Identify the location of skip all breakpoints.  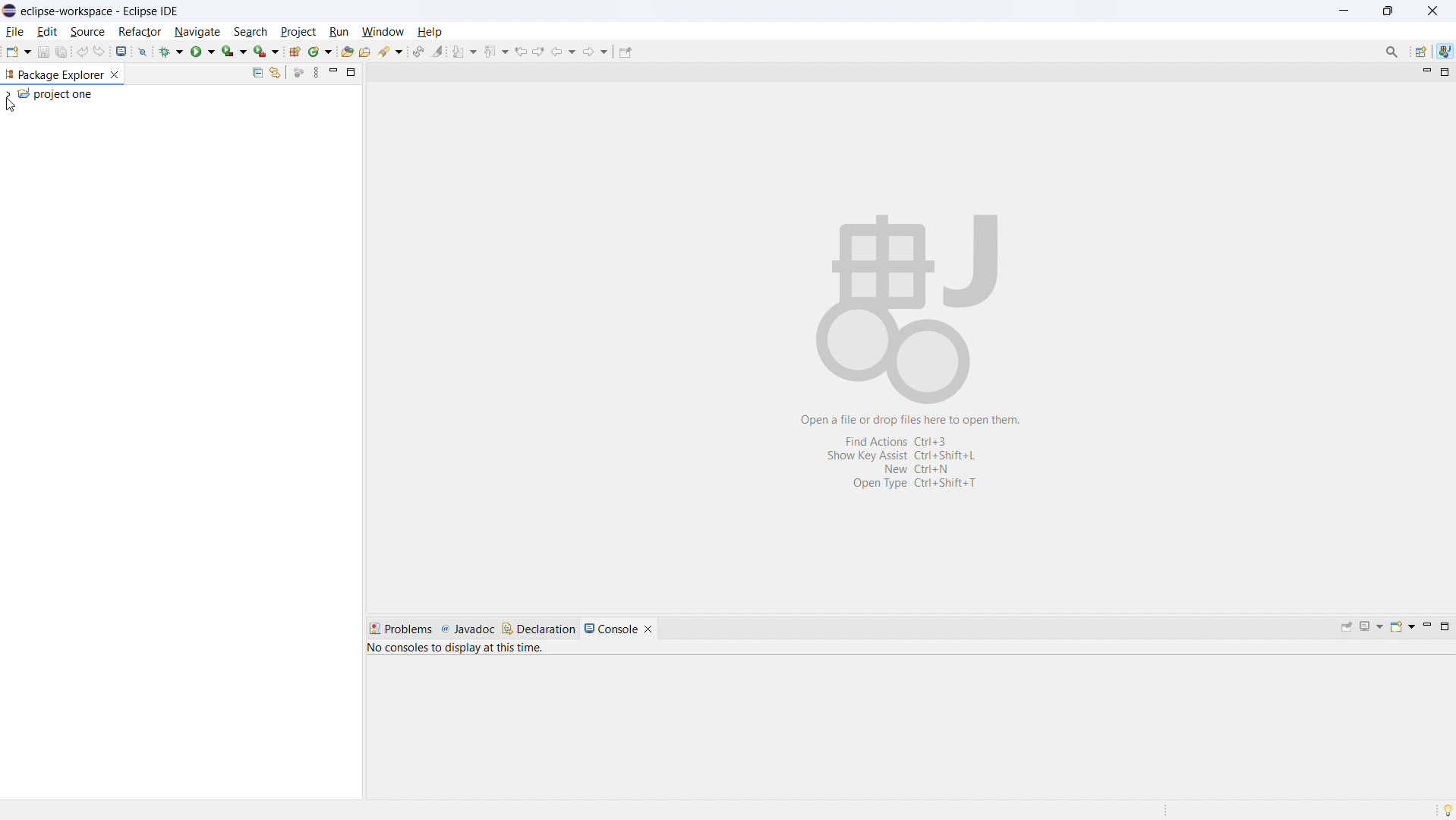
(143, 51).